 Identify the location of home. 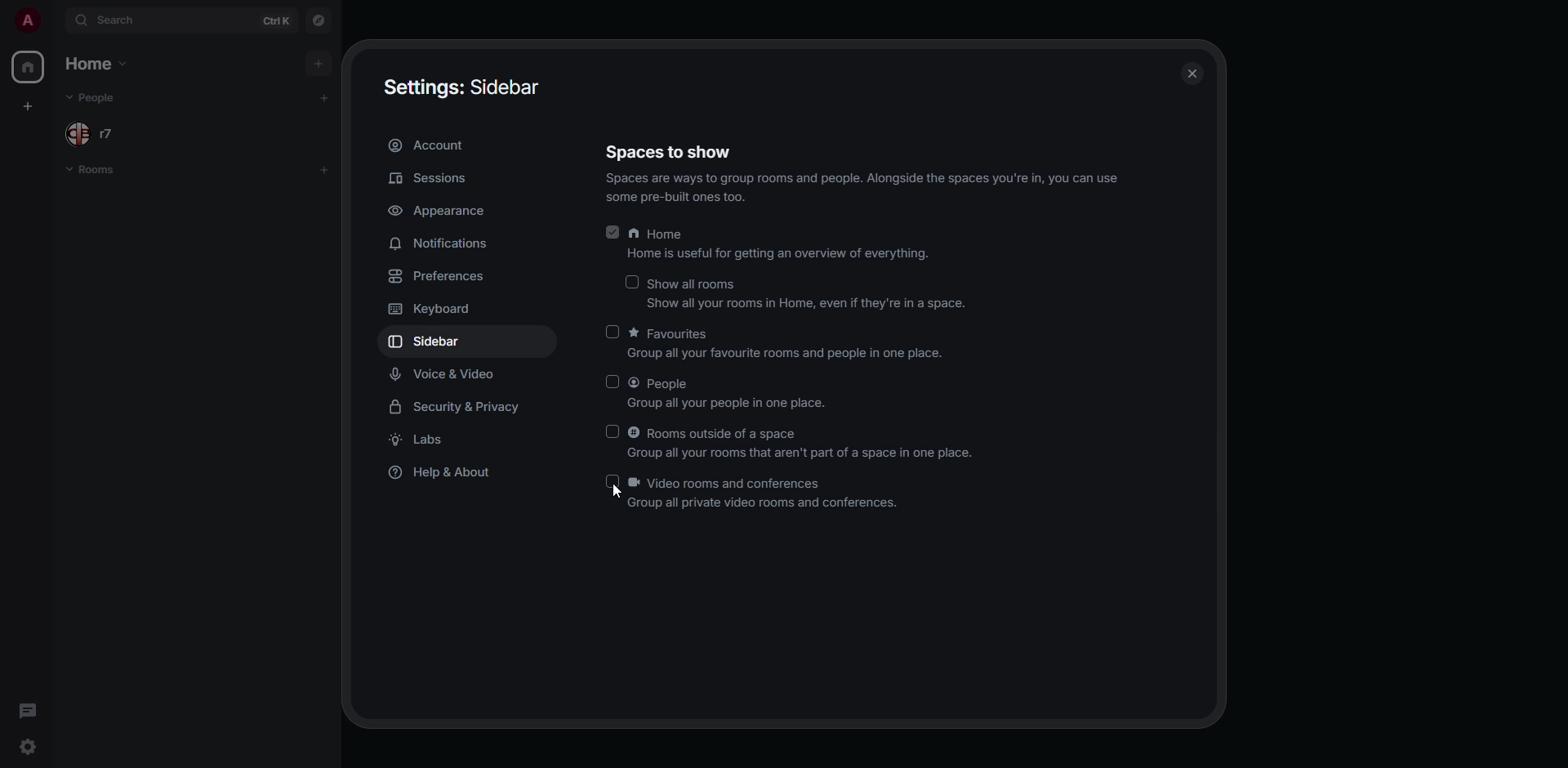
(784, 243).